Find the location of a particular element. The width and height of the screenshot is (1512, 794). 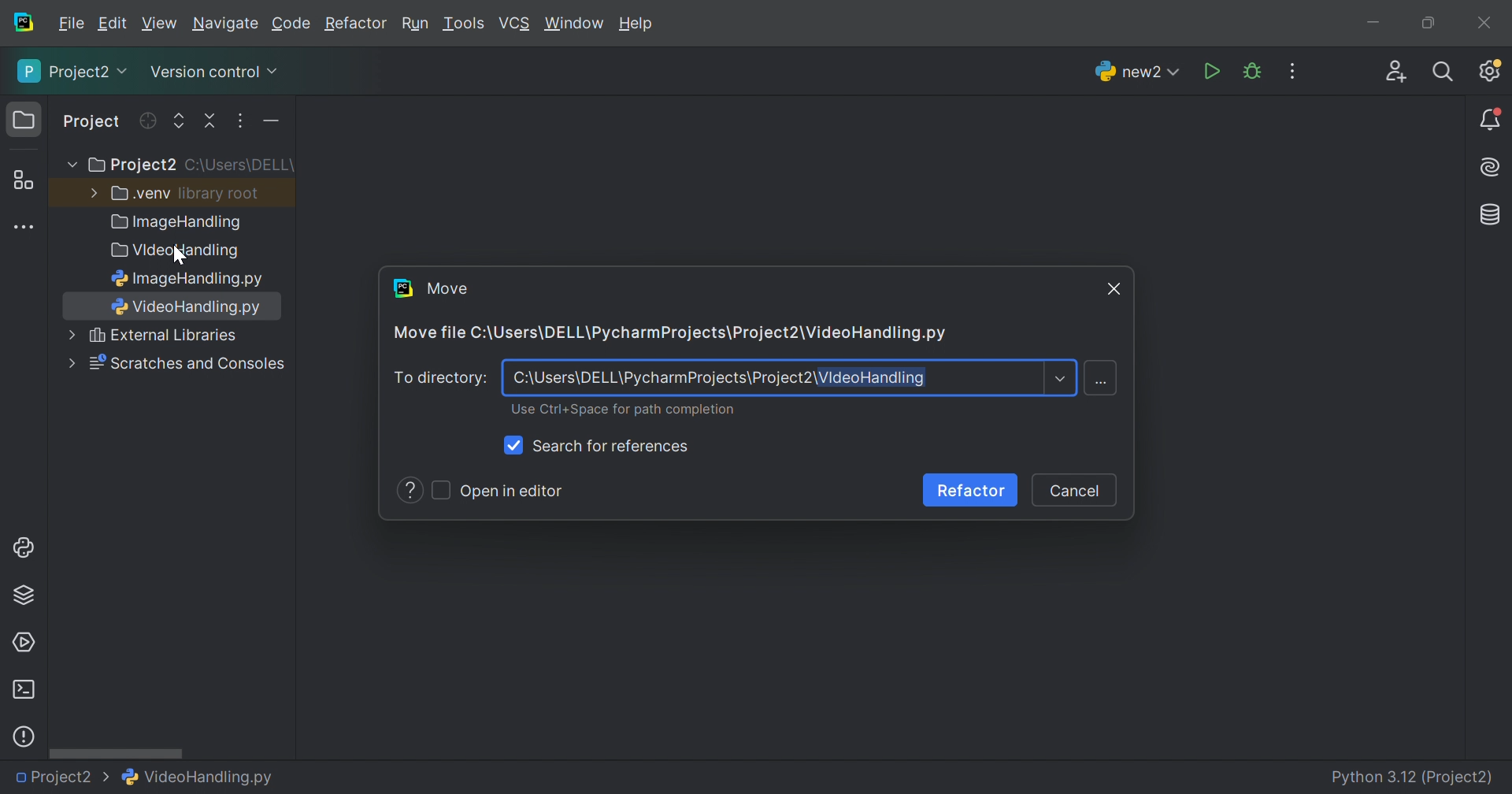

VideiHandling.py is located at coordinates (189, 306).